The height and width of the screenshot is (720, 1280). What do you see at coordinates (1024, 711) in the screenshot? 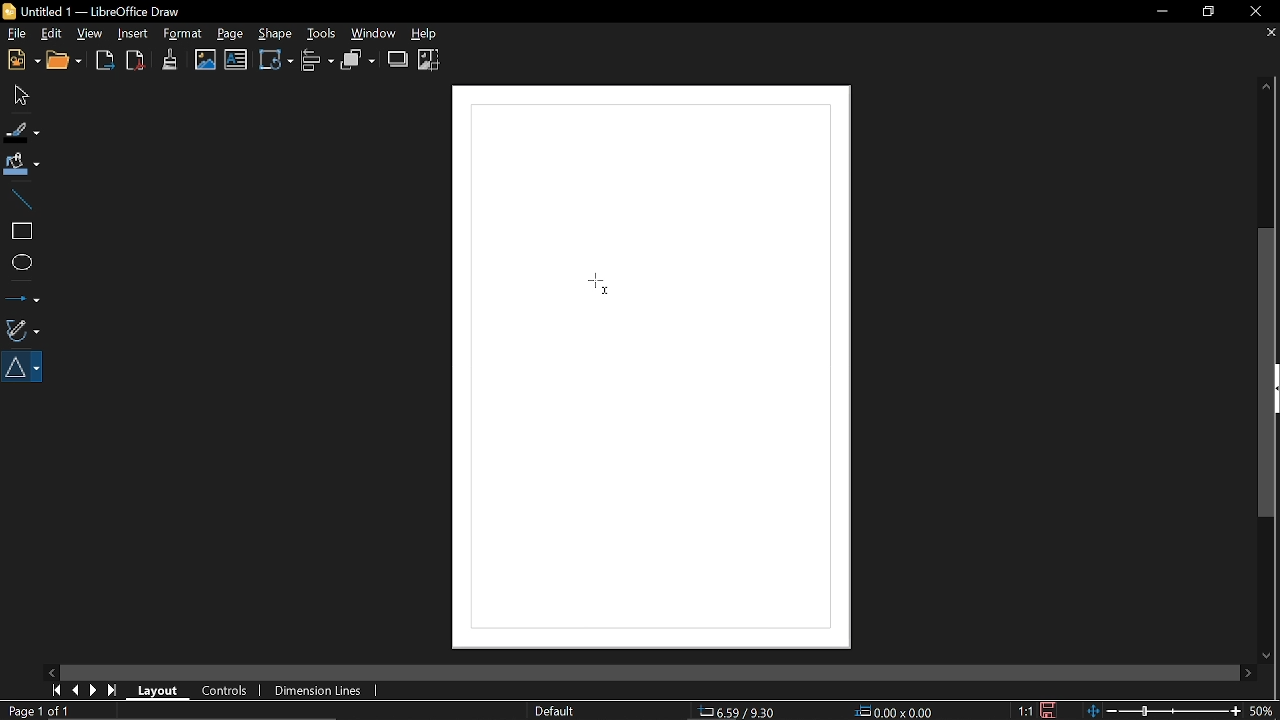
I see `Scaling factor` at bounding box center [1024, 711].